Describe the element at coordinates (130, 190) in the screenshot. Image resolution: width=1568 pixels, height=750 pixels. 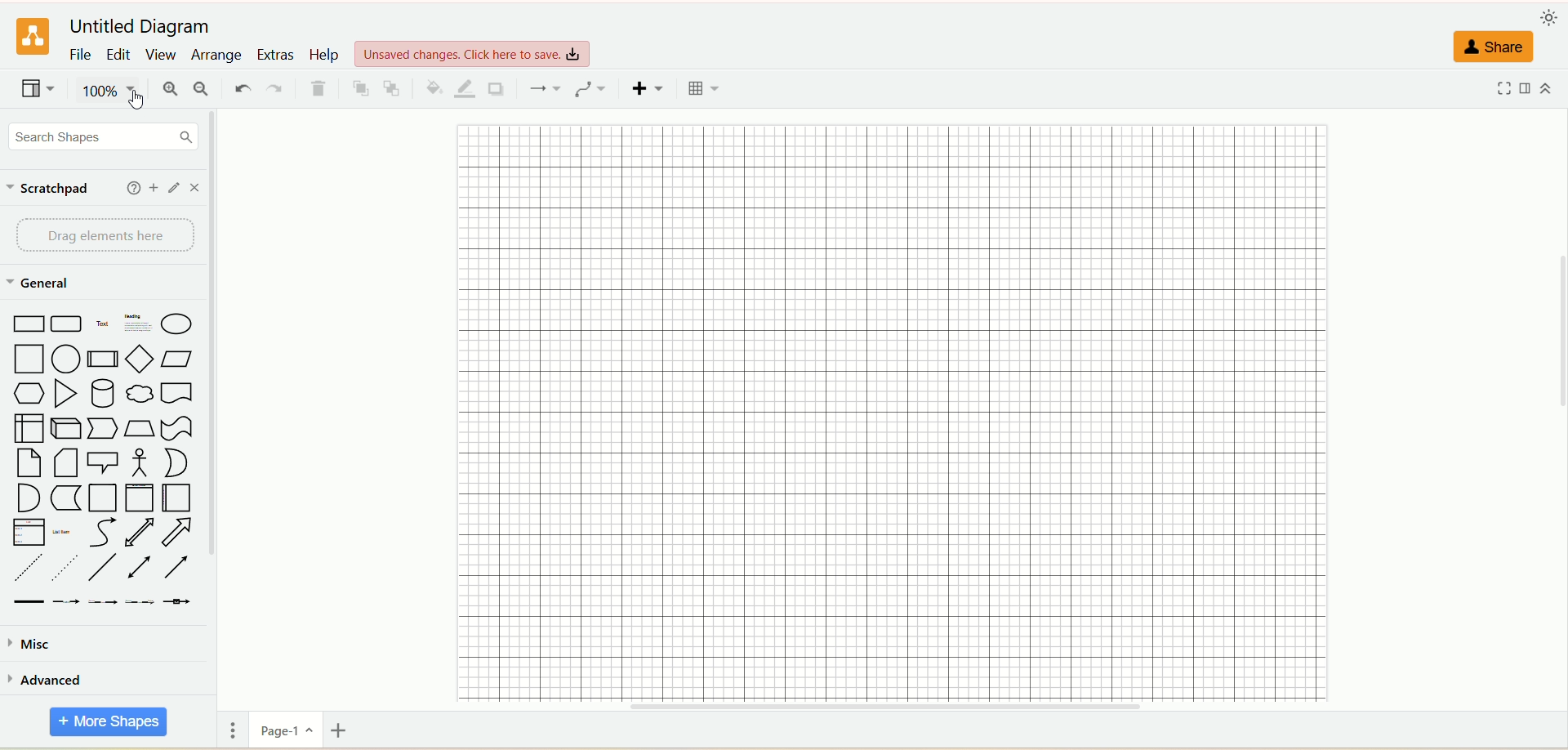
I see `help` at that location.